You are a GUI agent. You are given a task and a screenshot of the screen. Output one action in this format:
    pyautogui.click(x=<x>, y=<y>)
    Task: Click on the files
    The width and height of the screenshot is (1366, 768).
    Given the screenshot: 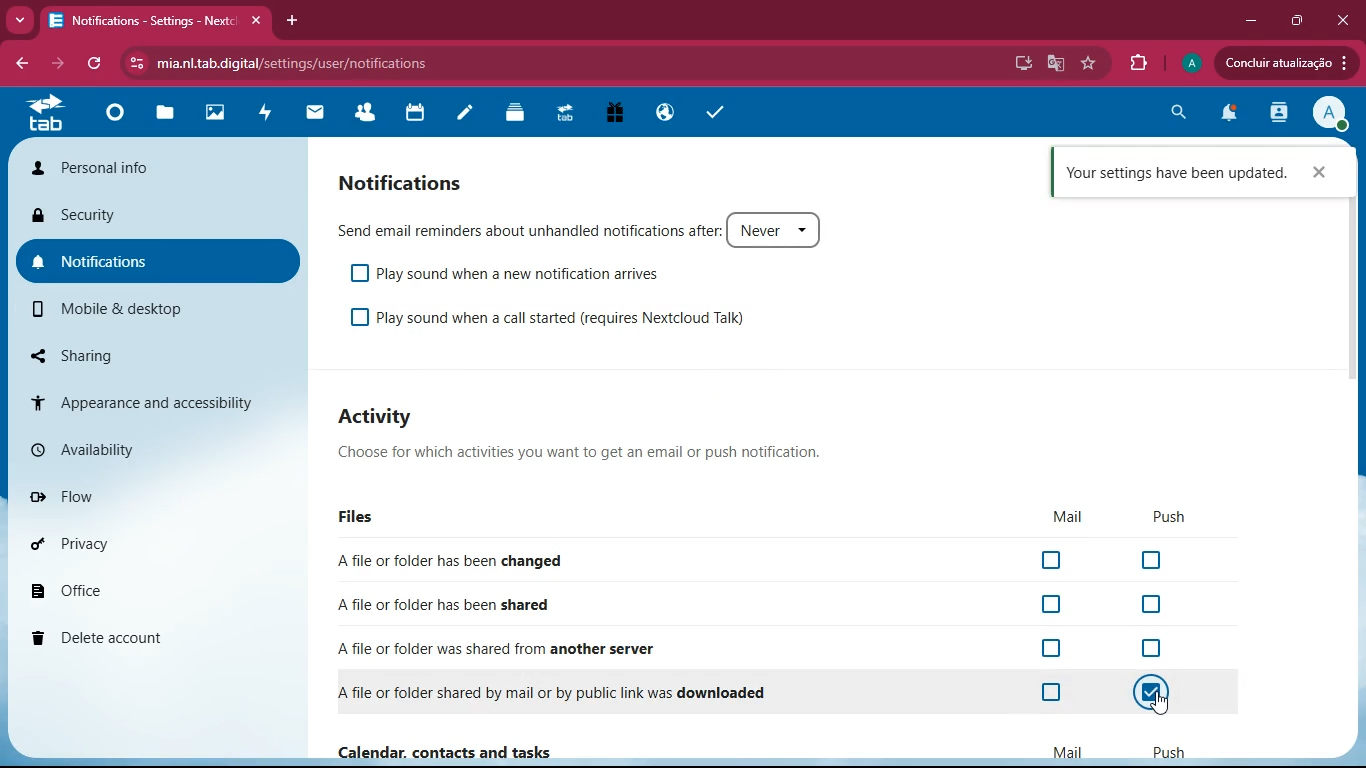 What is the action you would take?
    pyautogui.click(x=360, y=518)
    